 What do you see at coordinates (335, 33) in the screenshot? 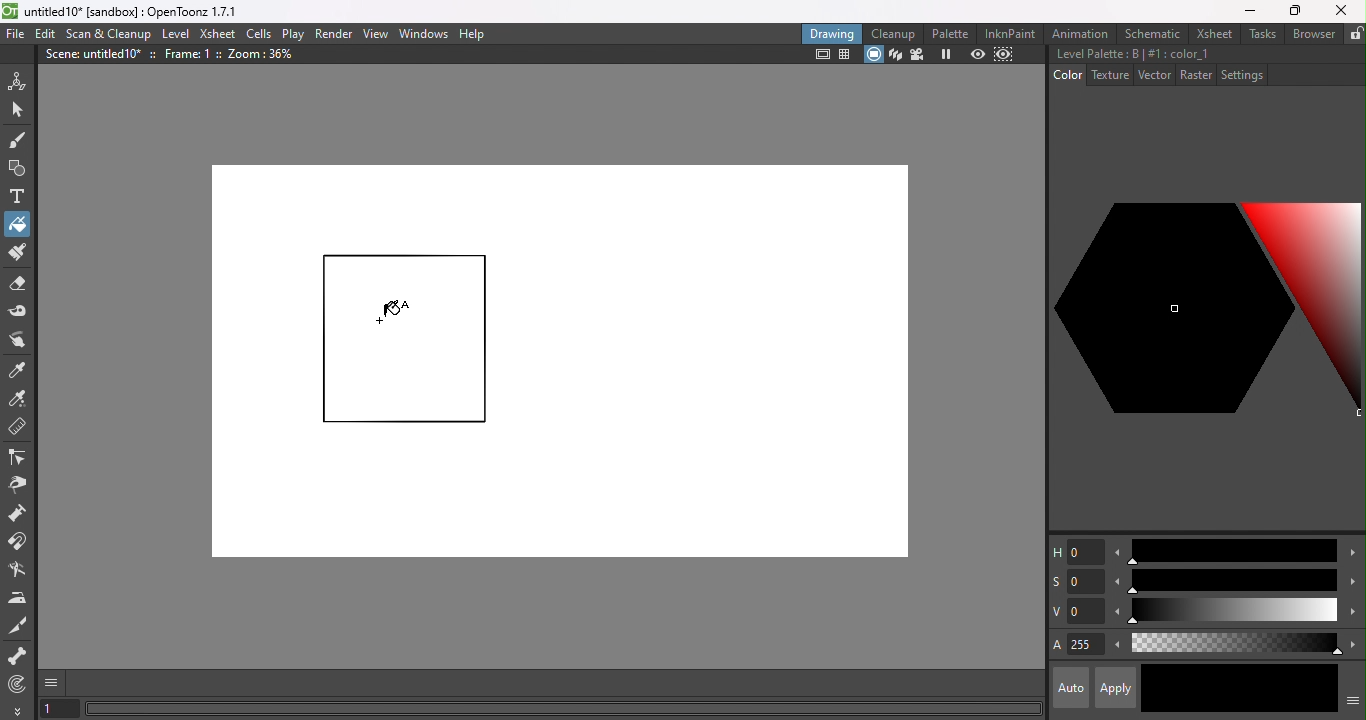
I see `Render` at bounding box center [335, 33].